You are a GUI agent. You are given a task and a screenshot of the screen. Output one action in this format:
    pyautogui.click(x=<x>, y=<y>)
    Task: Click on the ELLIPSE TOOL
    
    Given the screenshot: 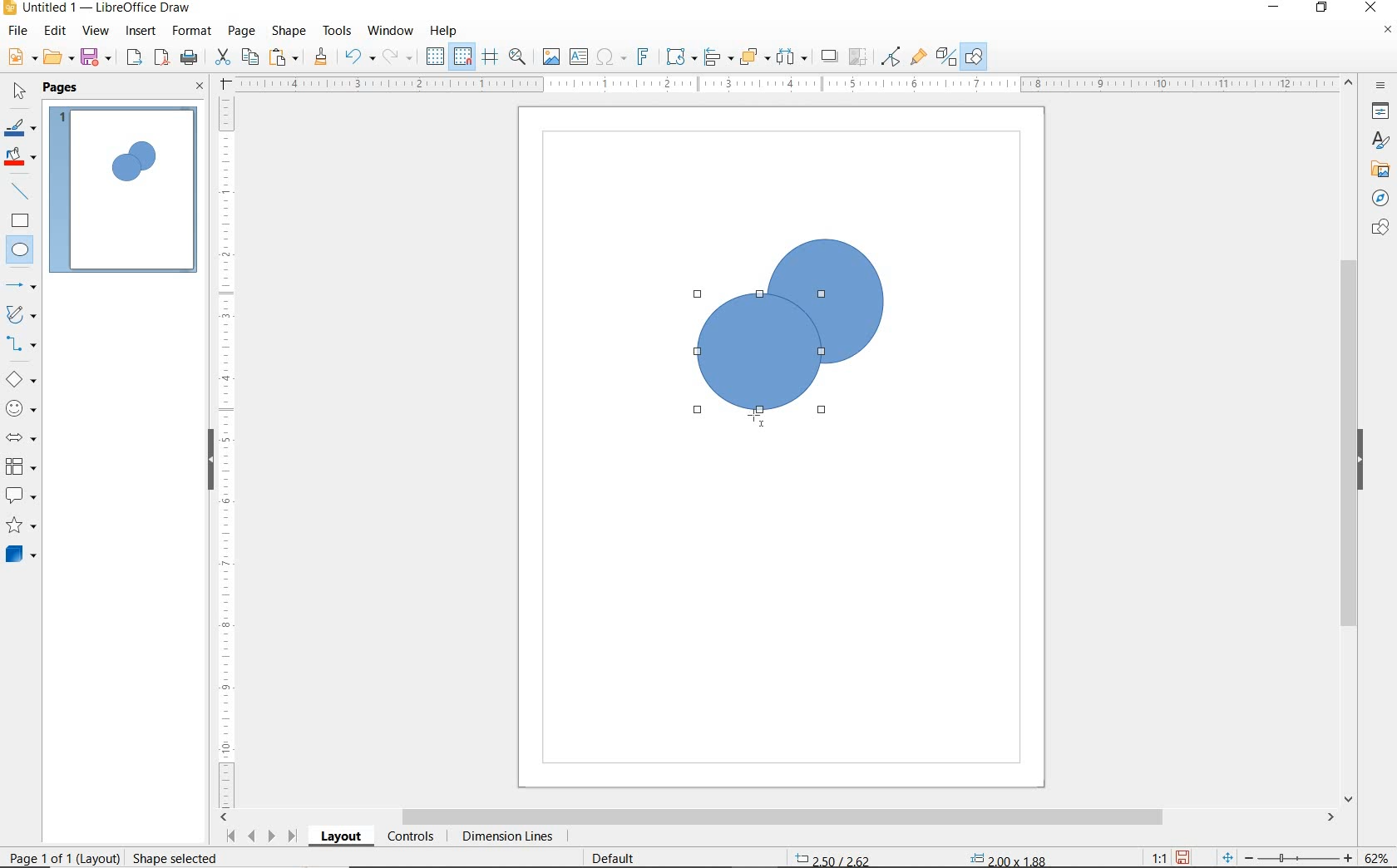 What is the action you would take?
    pyautogui.click(x=770, y=368)
    